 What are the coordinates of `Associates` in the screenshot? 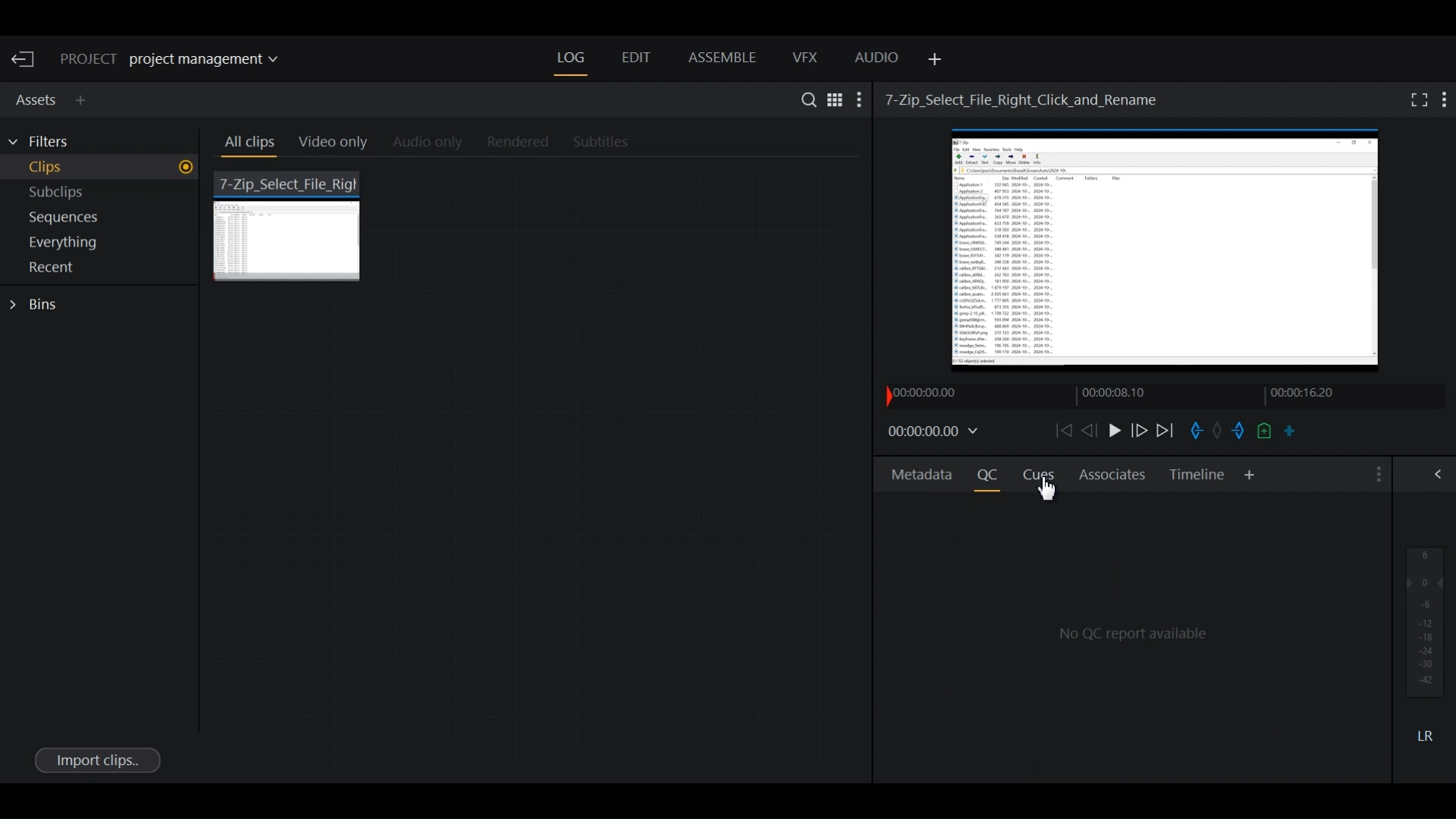 It's located at (1112, 474).